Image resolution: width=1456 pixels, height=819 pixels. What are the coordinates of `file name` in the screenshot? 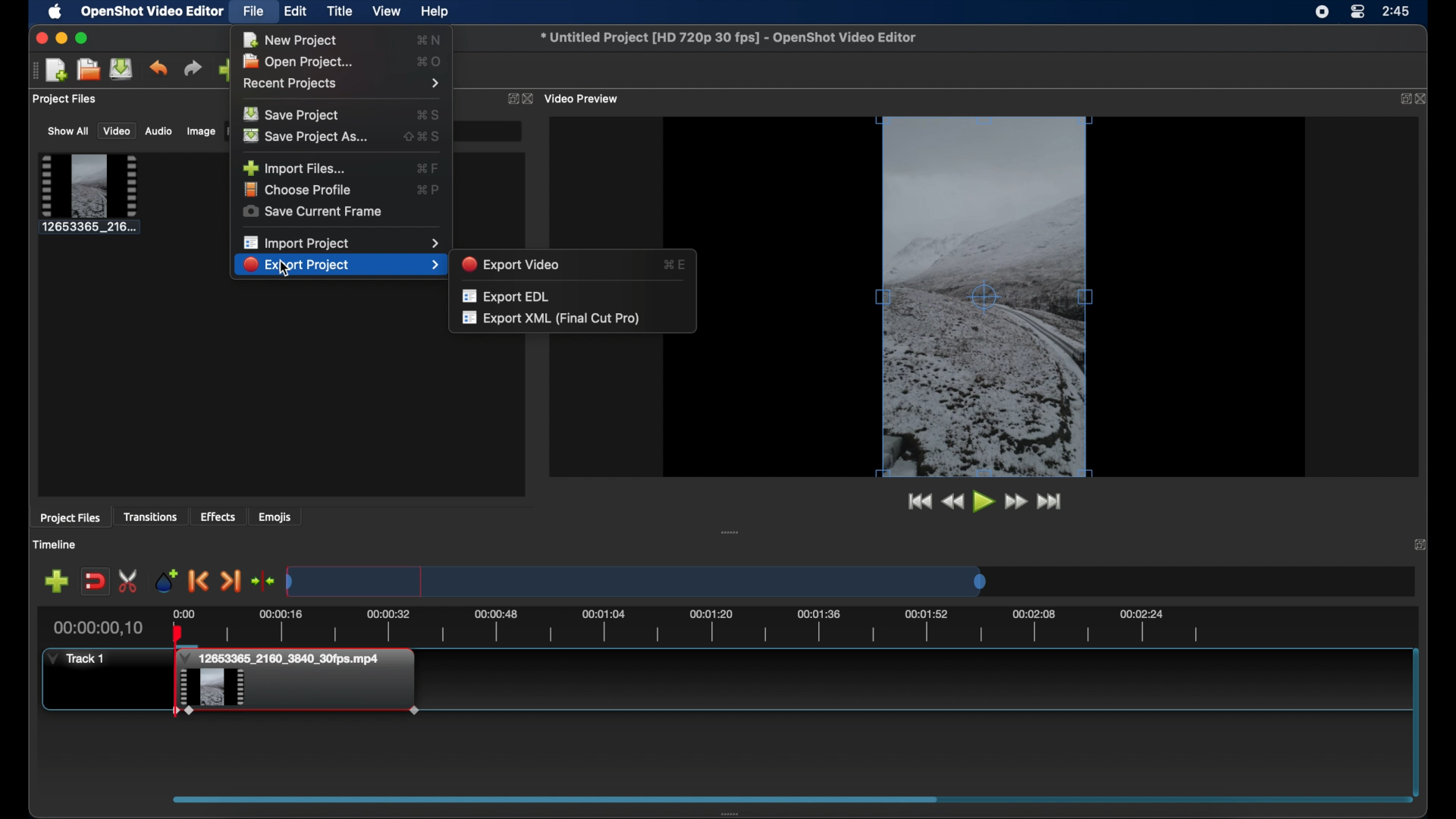 It's located at (731, 38).